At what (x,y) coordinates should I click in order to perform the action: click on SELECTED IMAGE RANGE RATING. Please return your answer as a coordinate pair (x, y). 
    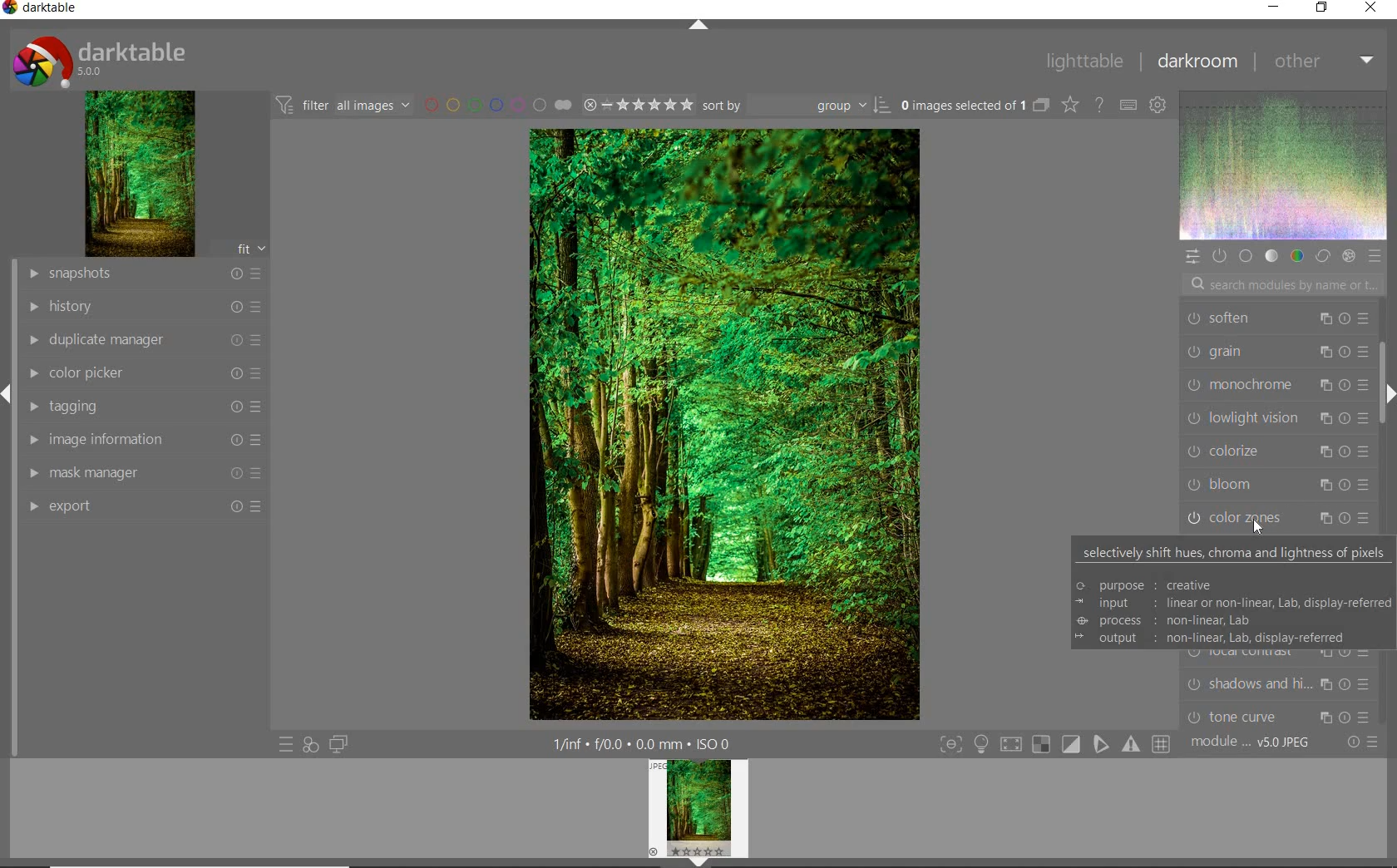
    Looking at the image, I should click on (636, 103).